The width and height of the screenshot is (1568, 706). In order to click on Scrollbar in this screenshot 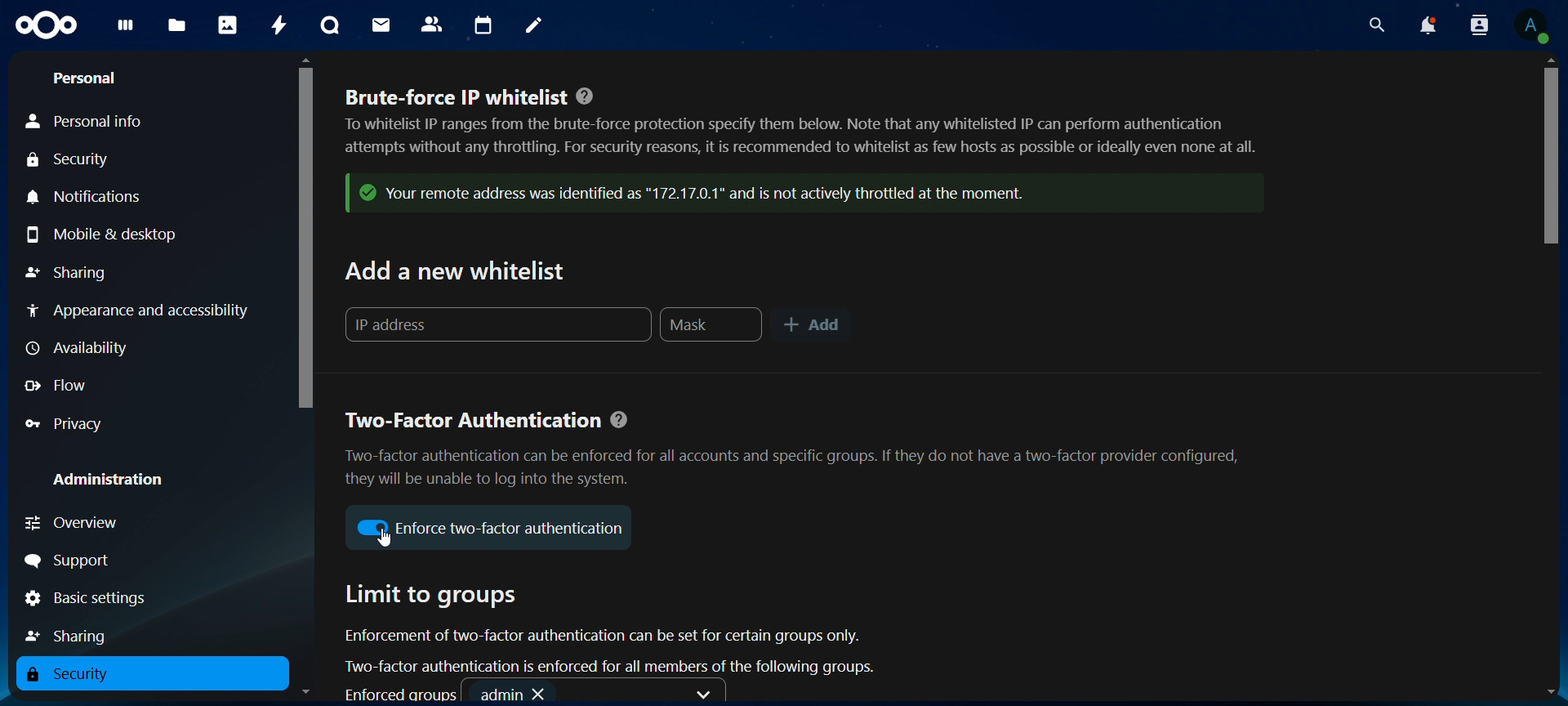, I will do `click(1548, 378)`.